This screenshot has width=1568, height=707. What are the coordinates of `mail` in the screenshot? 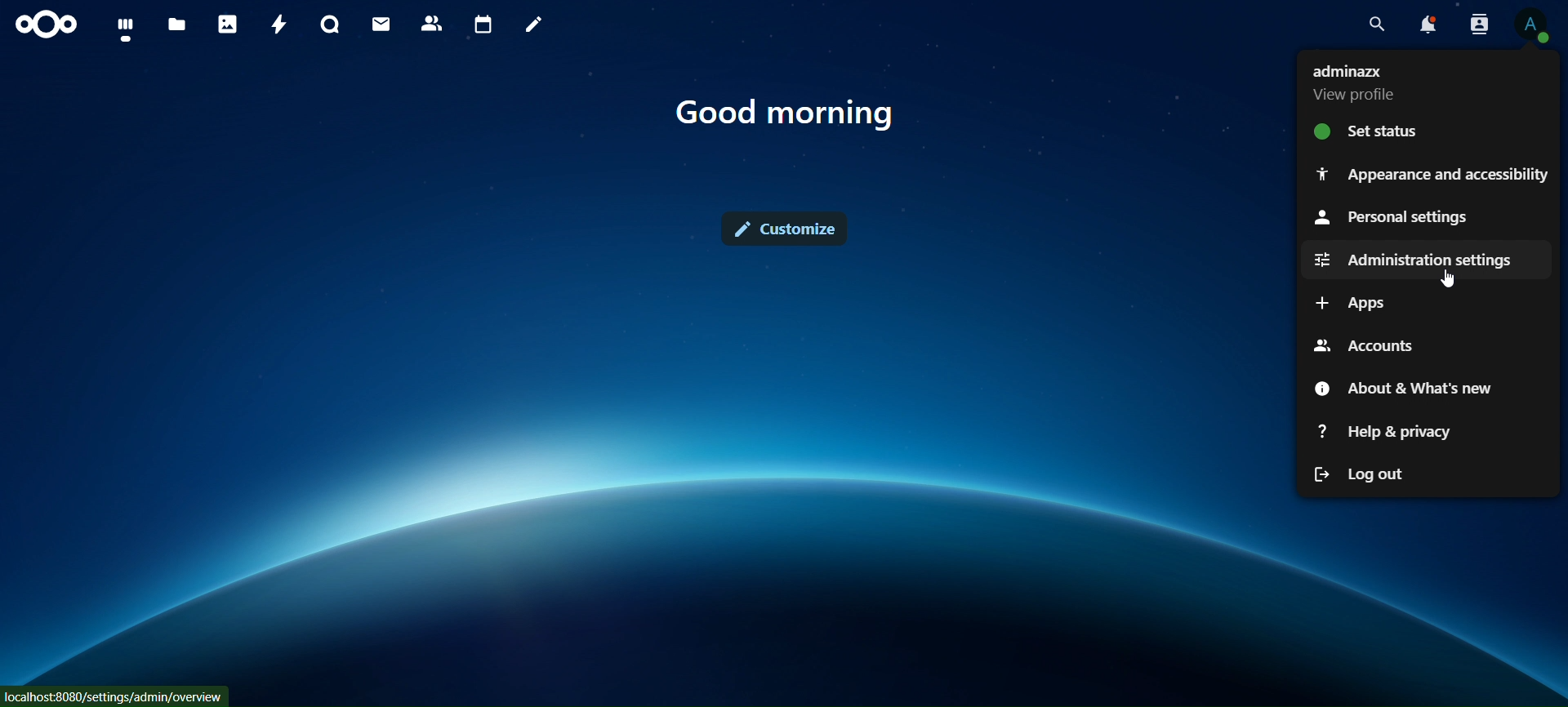 It's located at (379, 24).